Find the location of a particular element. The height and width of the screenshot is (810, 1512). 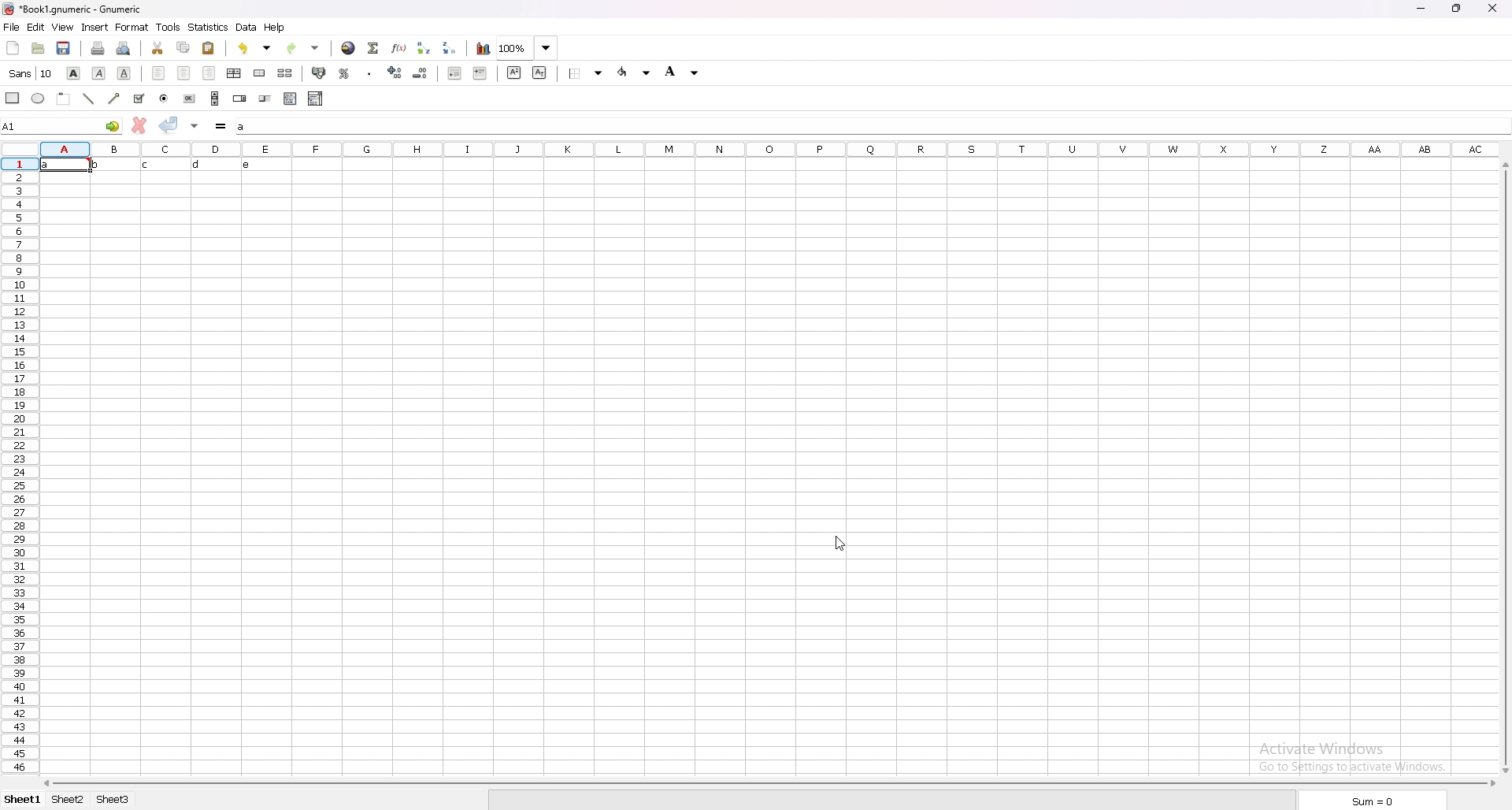

chart is located at coordinates (484, 48).